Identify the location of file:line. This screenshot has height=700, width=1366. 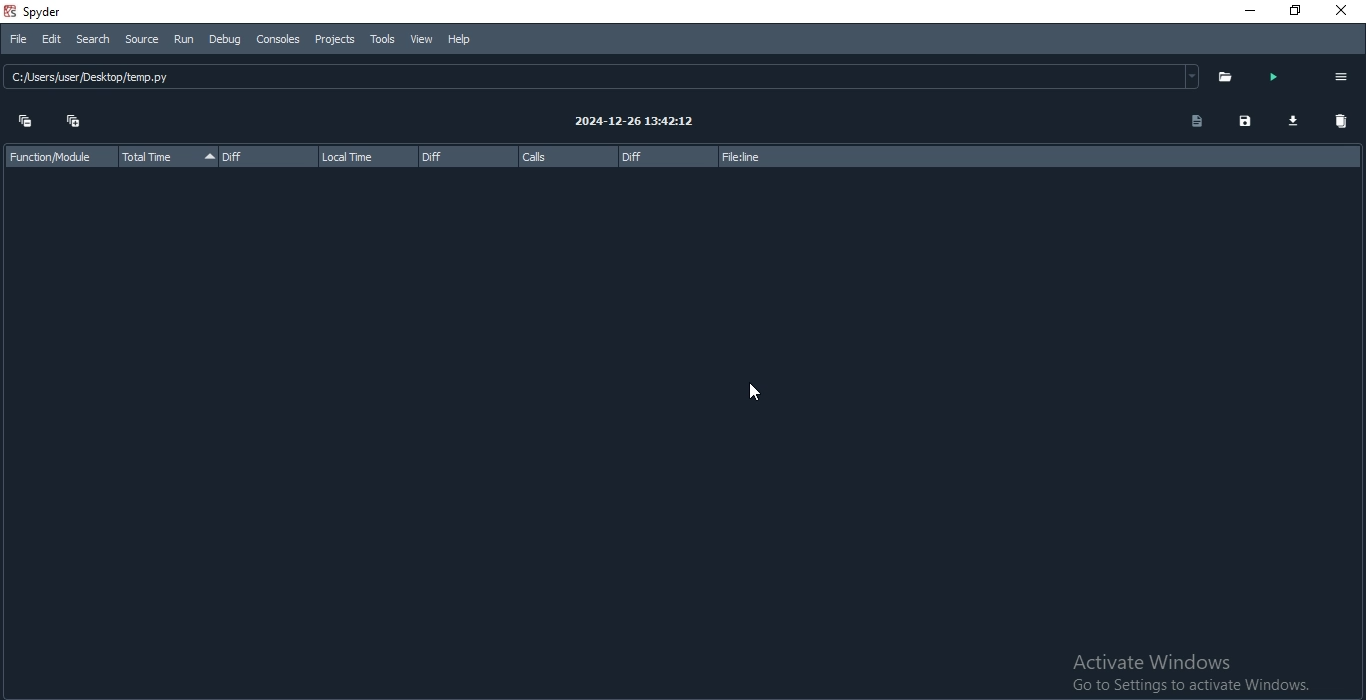
(766, 158).